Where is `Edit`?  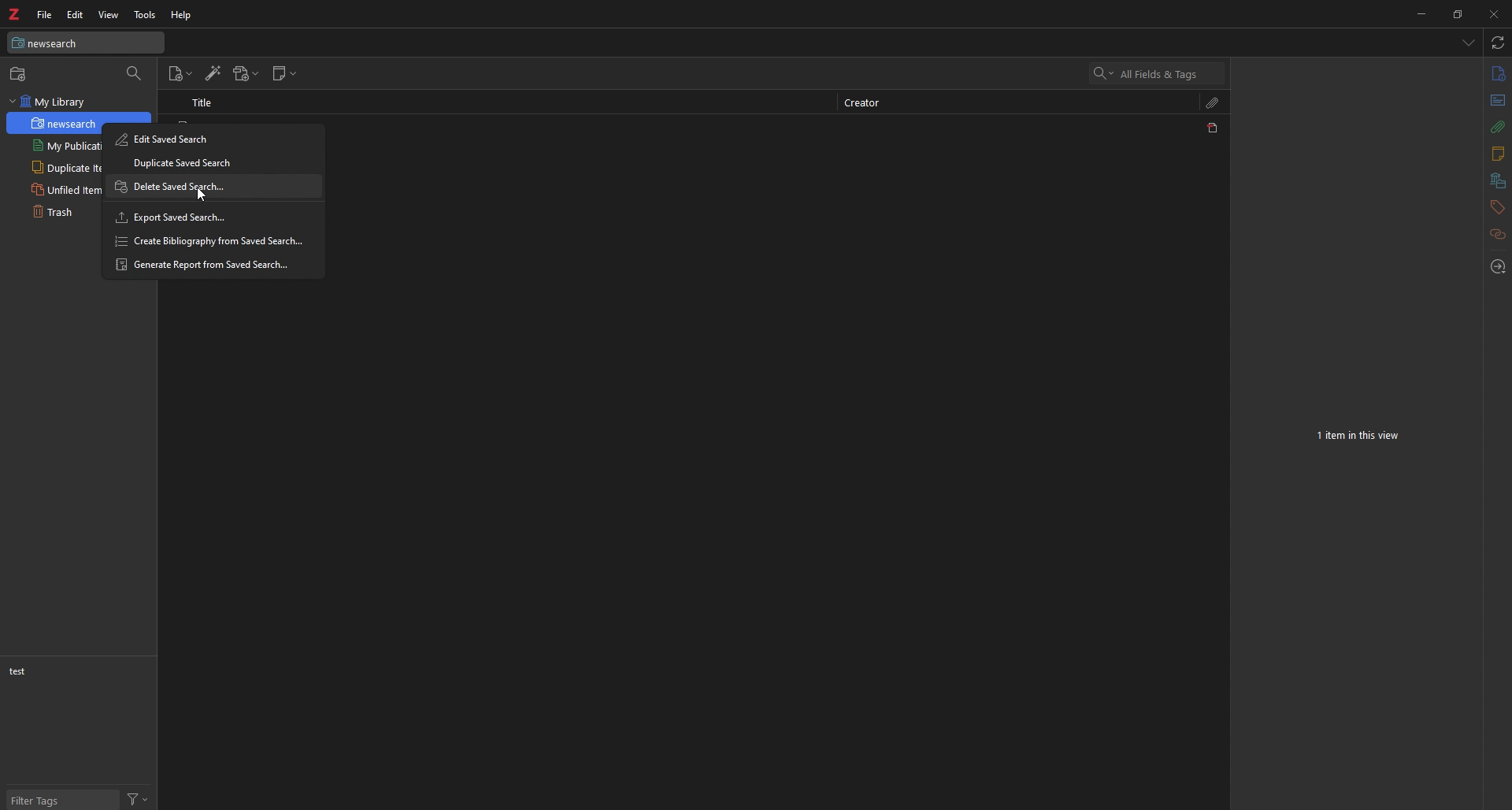 Edit is located at coordinates (74, 14).